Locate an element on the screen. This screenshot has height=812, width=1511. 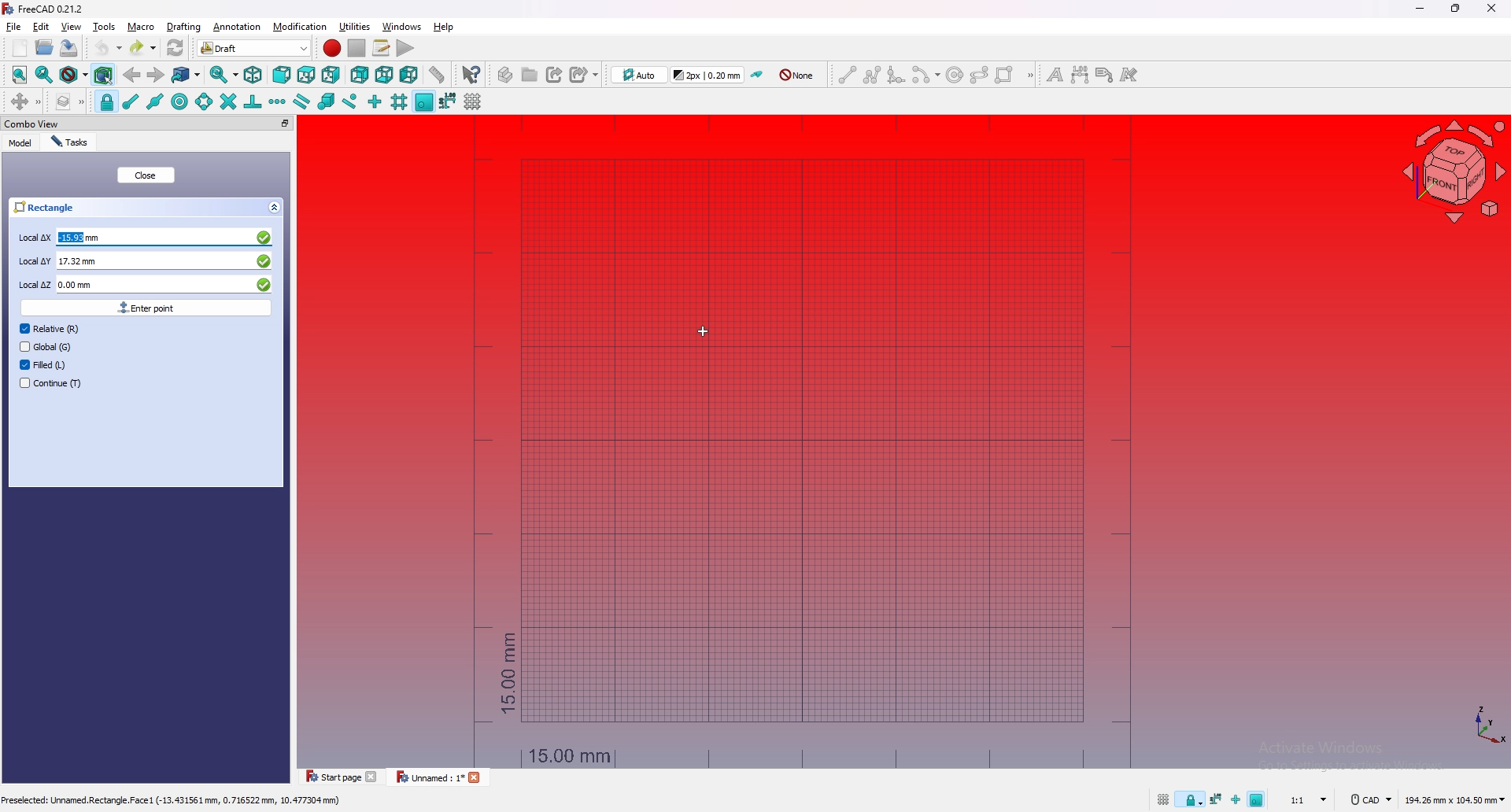
model is located at coordinates (22, 143).